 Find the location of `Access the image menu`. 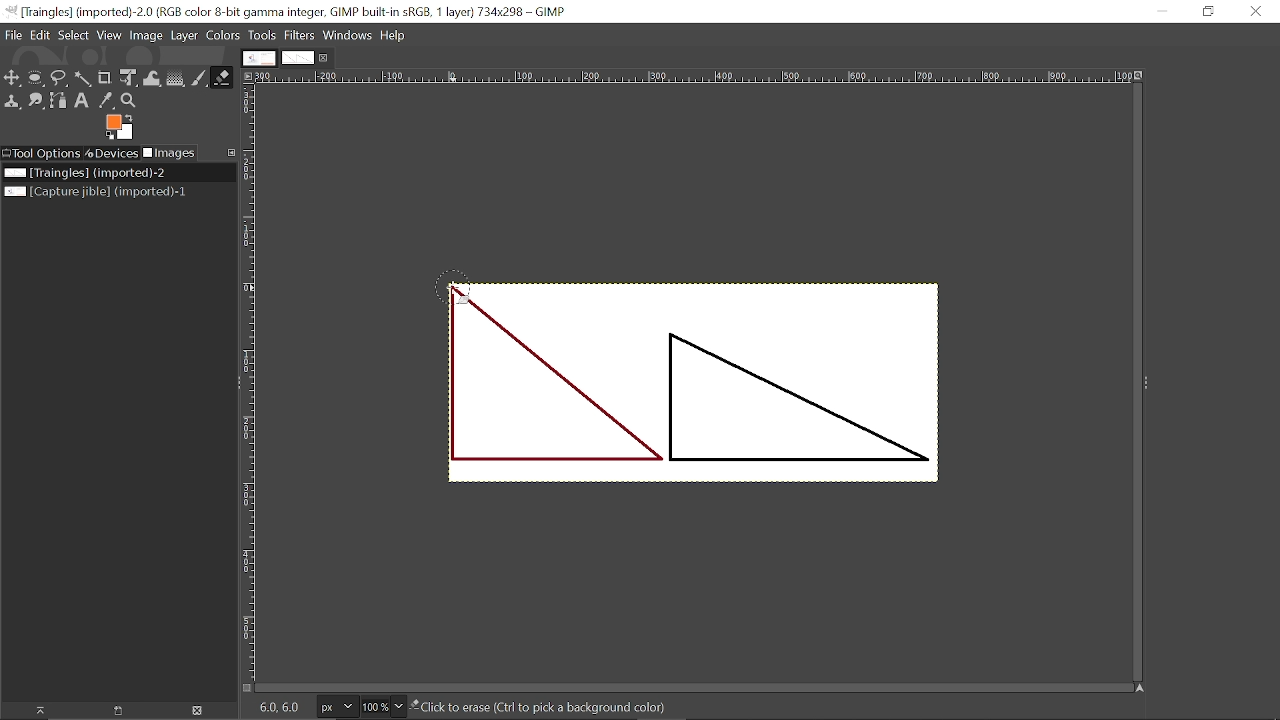

Access the image menu is located at coordinates (247, 75).